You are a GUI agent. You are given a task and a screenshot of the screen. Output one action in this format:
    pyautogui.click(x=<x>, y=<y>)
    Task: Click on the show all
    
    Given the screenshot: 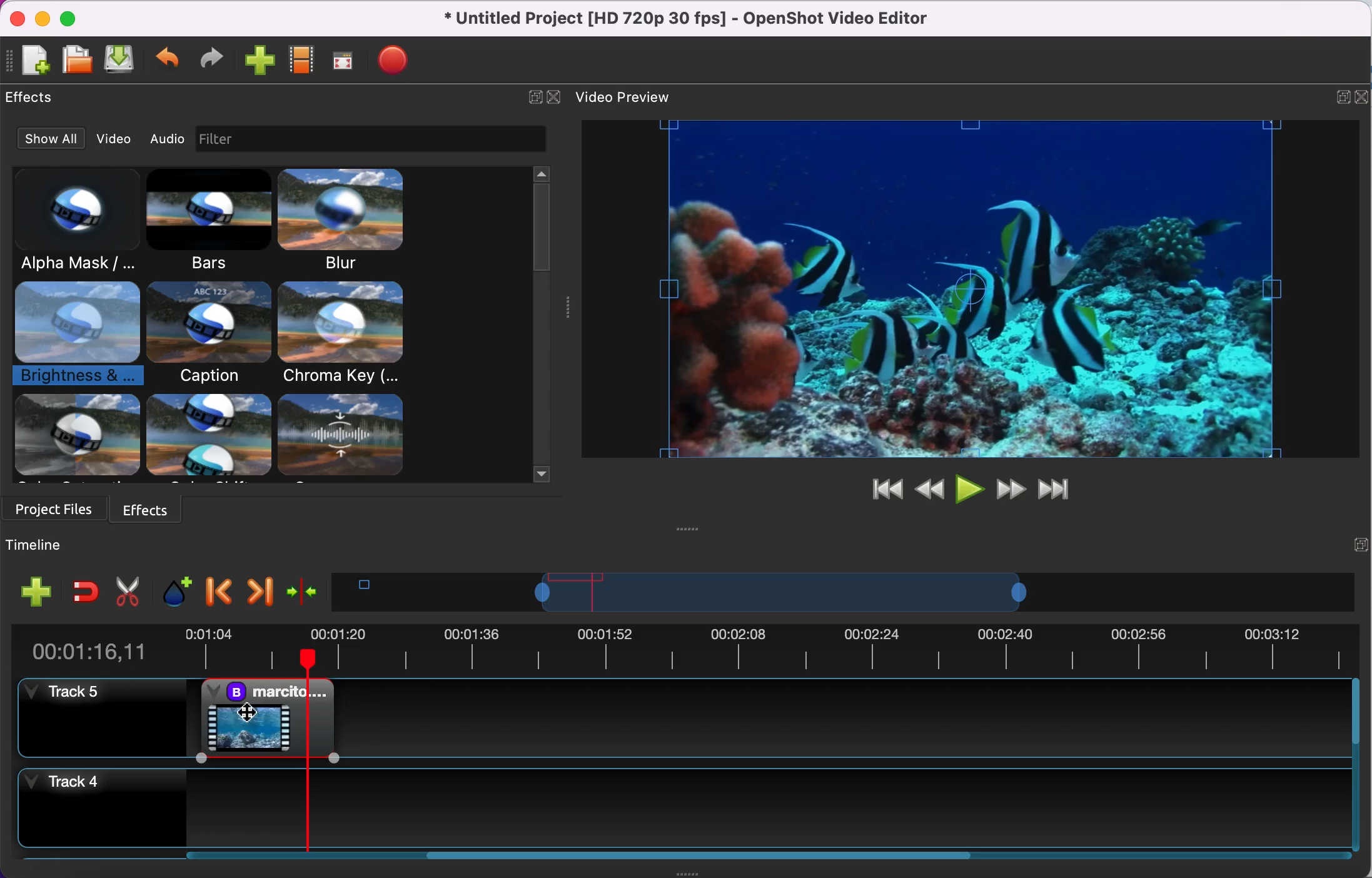 What is the action you would take?
    pyautogui.click(x=44, y=139)
    